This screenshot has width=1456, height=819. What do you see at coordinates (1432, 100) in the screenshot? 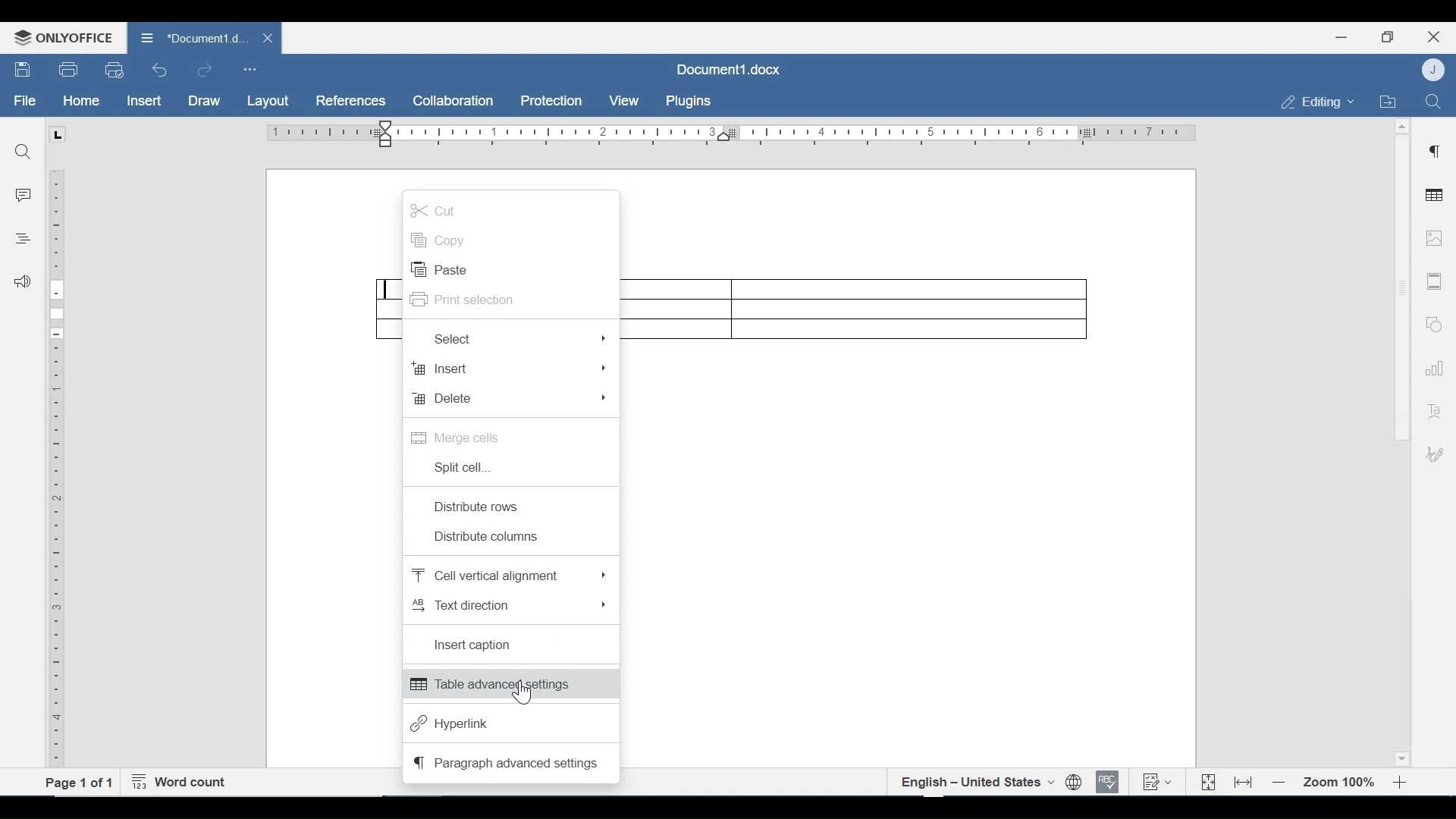
I see `Find` at bounding box center [1432, 100].